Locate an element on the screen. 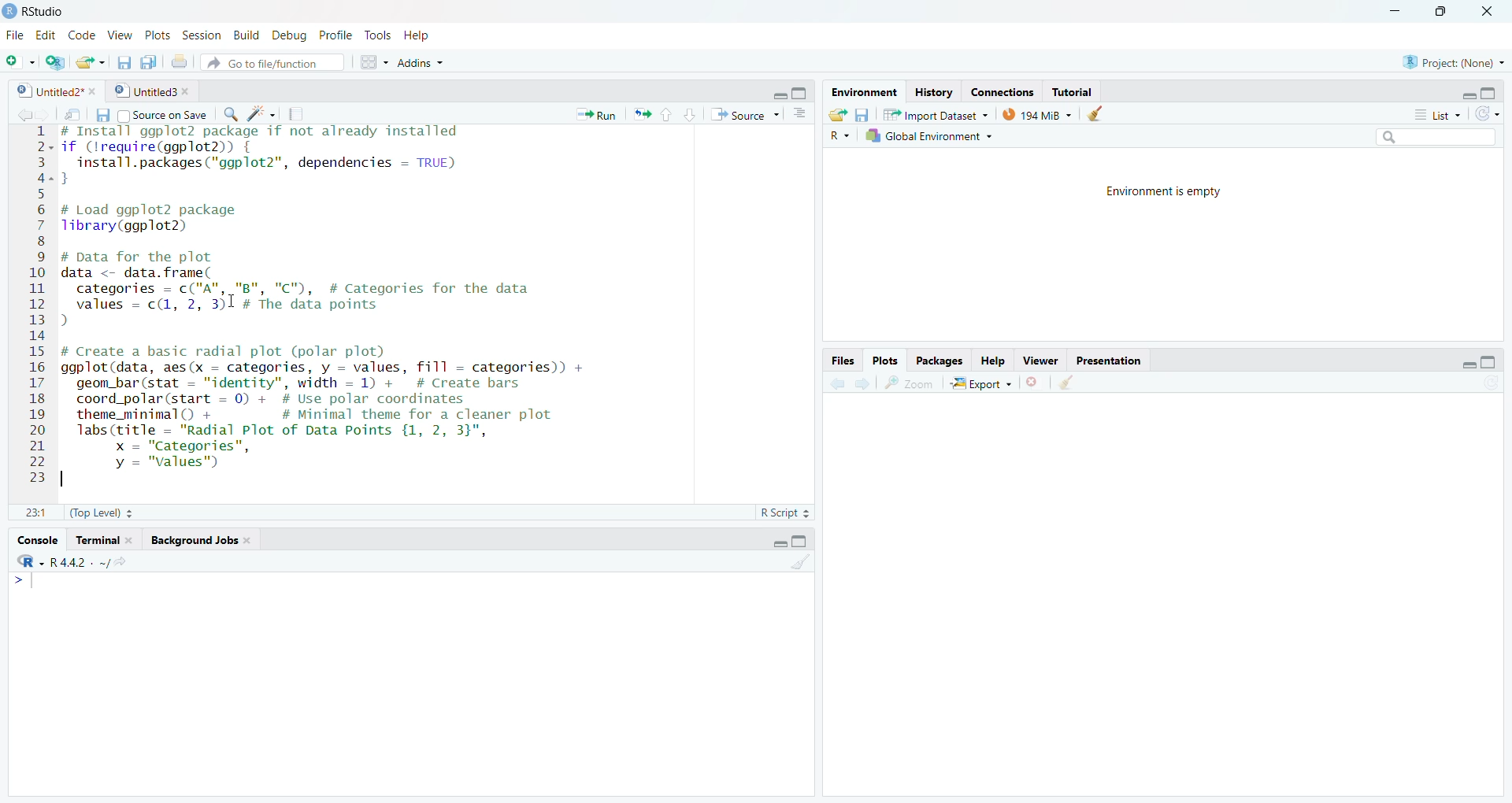 This screenshot has height=803, width=1512. workspace panes is located at coordinates (376, 61).